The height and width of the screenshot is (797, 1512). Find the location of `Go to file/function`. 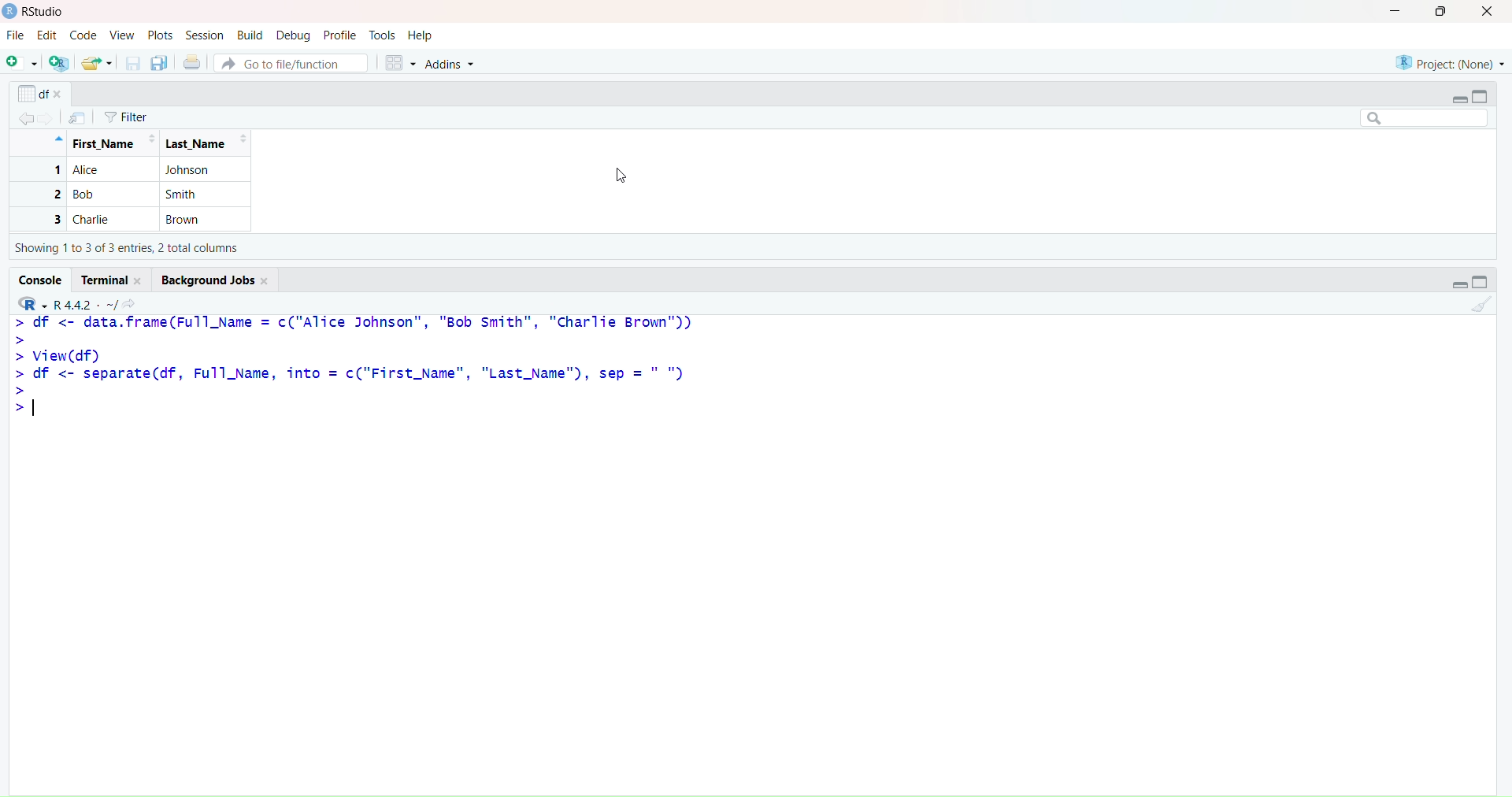

Go to file/function is located at coordinates (291, 62).